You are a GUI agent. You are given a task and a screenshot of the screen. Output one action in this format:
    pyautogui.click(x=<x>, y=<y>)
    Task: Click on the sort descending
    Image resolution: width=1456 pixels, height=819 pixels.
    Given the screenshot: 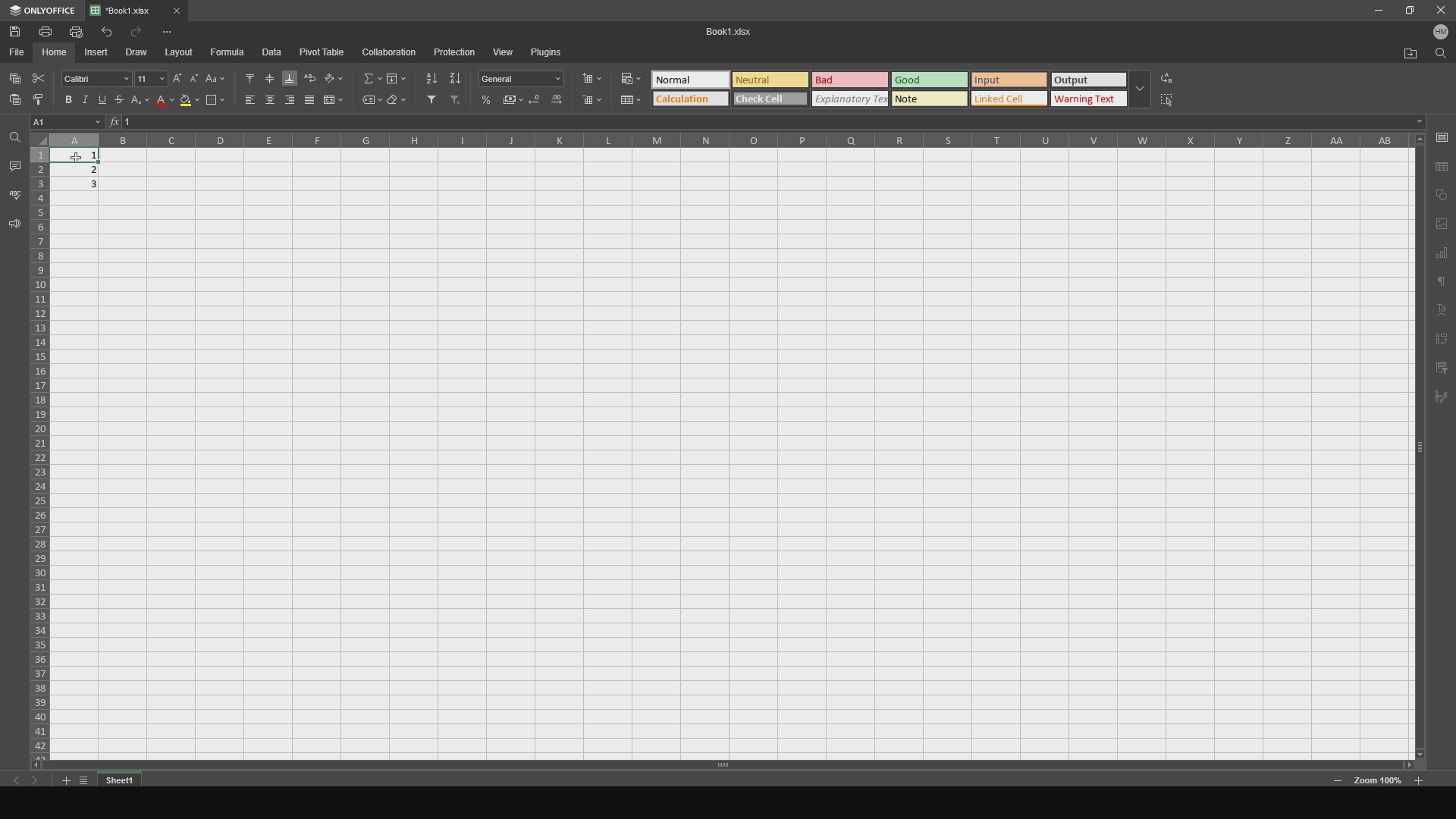 What is the action you would take?
    pyautogui.click(x=456, y=77)
    